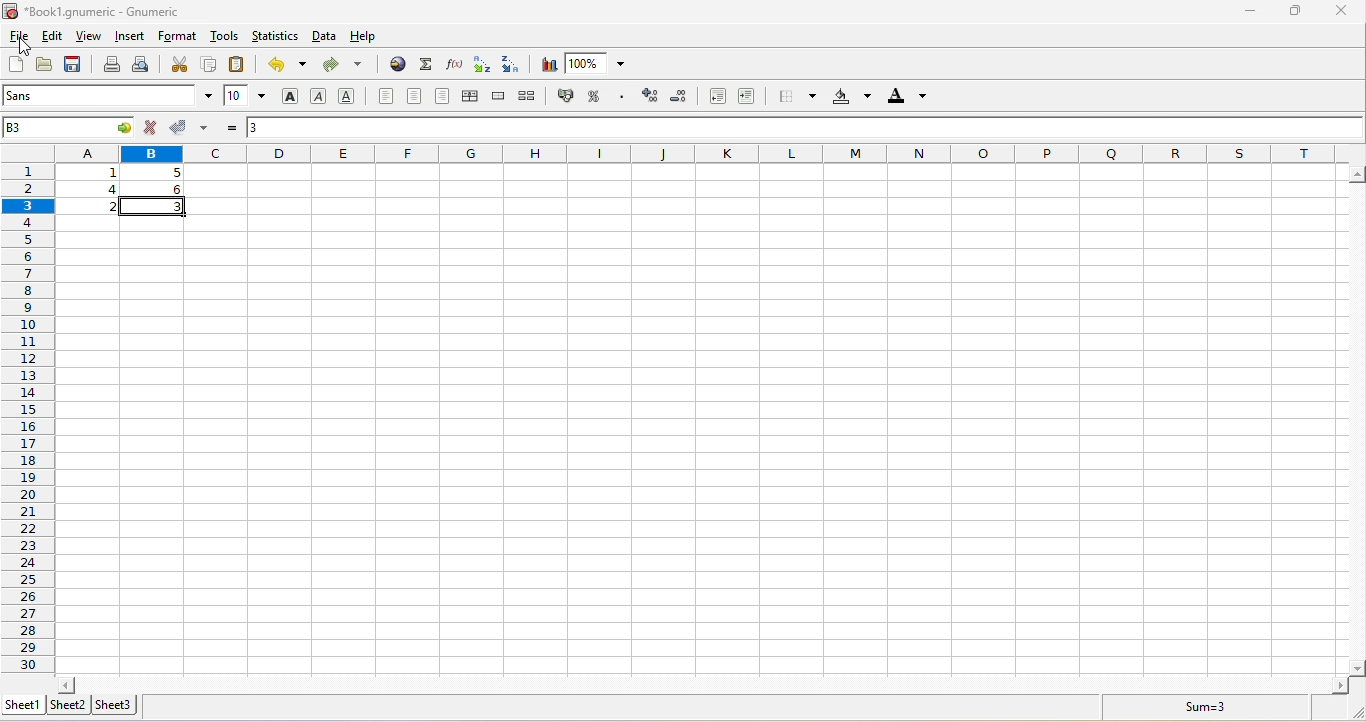 The width and height of the screenshot is (1366, 722). What do you see at coordinates (515, 65) in the screenshot?
I see `sort descending order based` at bounding box center [515, 65].